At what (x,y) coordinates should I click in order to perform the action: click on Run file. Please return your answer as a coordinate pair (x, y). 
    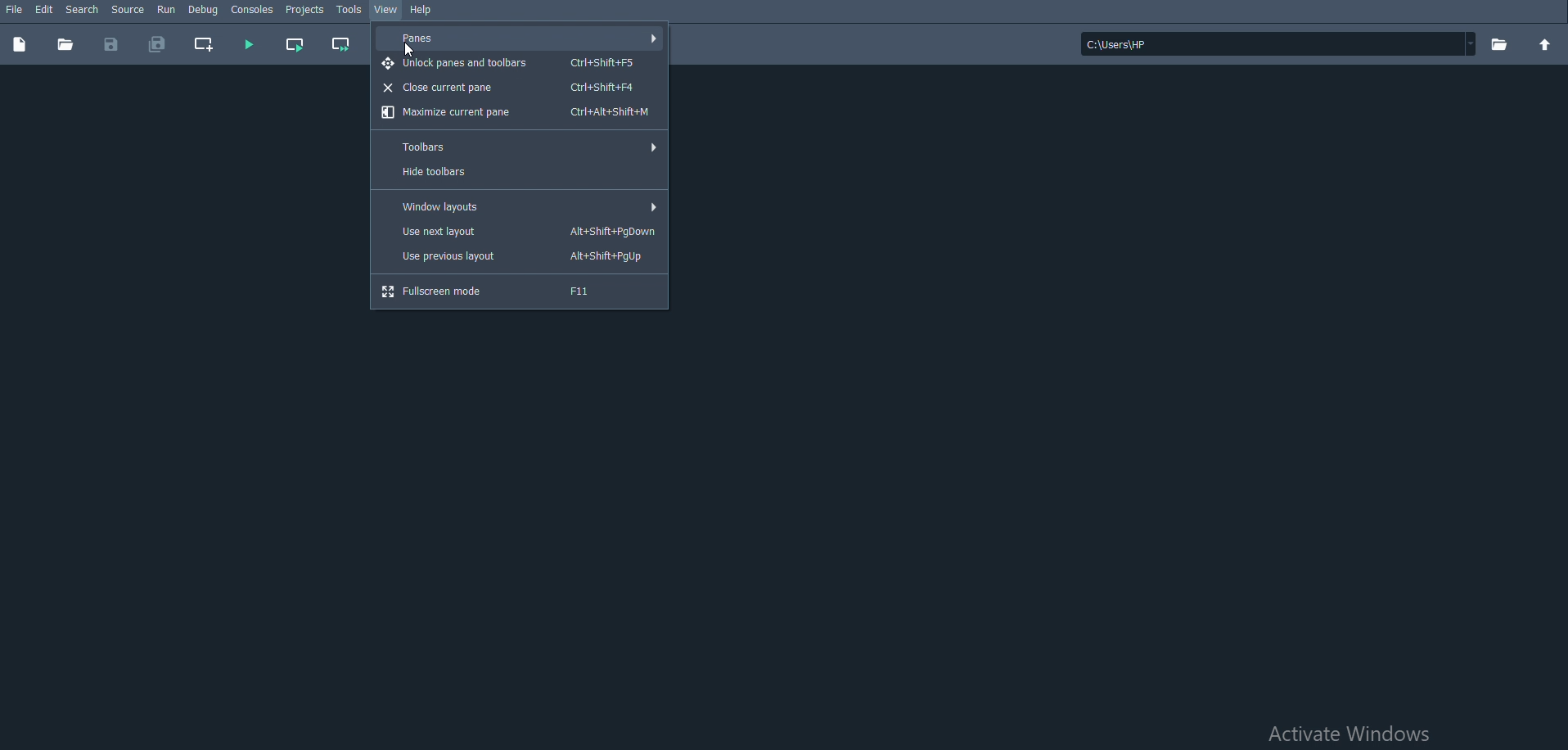
    Looking at the image, I should click on (247, 43).